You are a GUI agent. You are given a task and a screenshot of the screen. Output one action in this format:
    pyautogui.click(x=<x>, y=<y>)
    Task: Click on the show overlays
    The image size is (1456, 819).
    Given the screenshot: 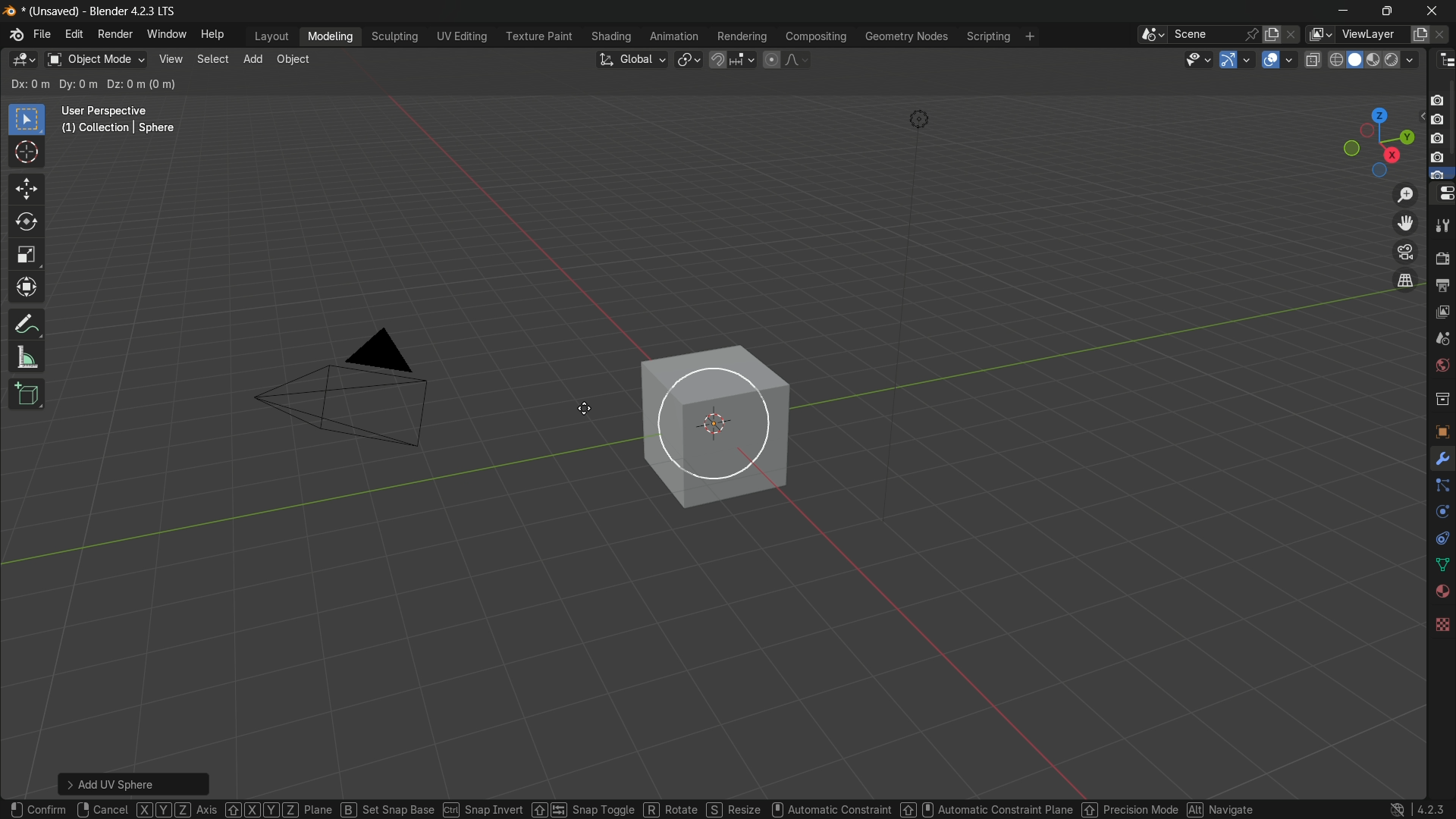 What is the action you would take?
    pyautogui.click(x=1291, y=60)
    